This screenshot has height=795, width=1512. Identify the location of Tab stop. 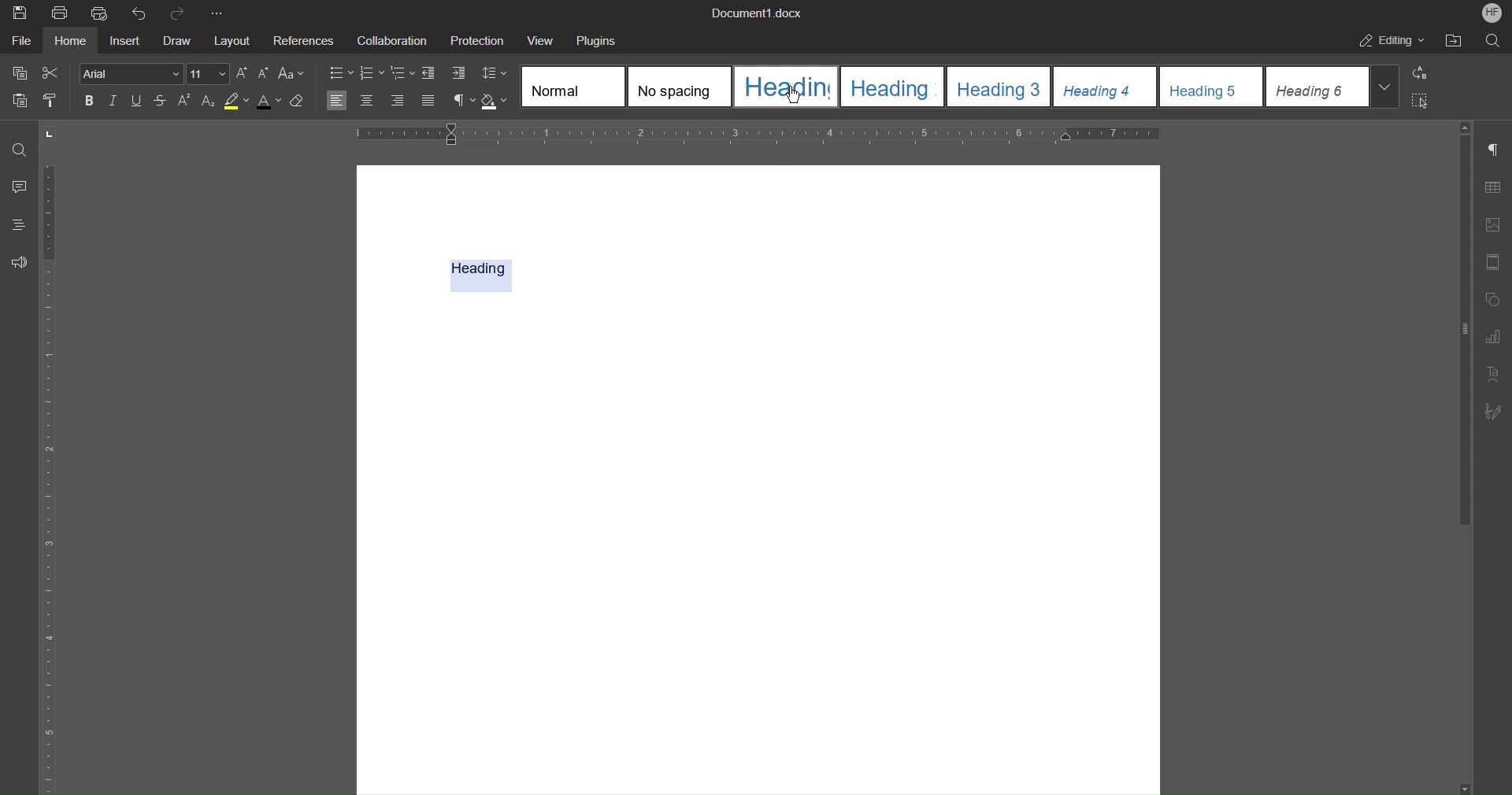
(50, 134).